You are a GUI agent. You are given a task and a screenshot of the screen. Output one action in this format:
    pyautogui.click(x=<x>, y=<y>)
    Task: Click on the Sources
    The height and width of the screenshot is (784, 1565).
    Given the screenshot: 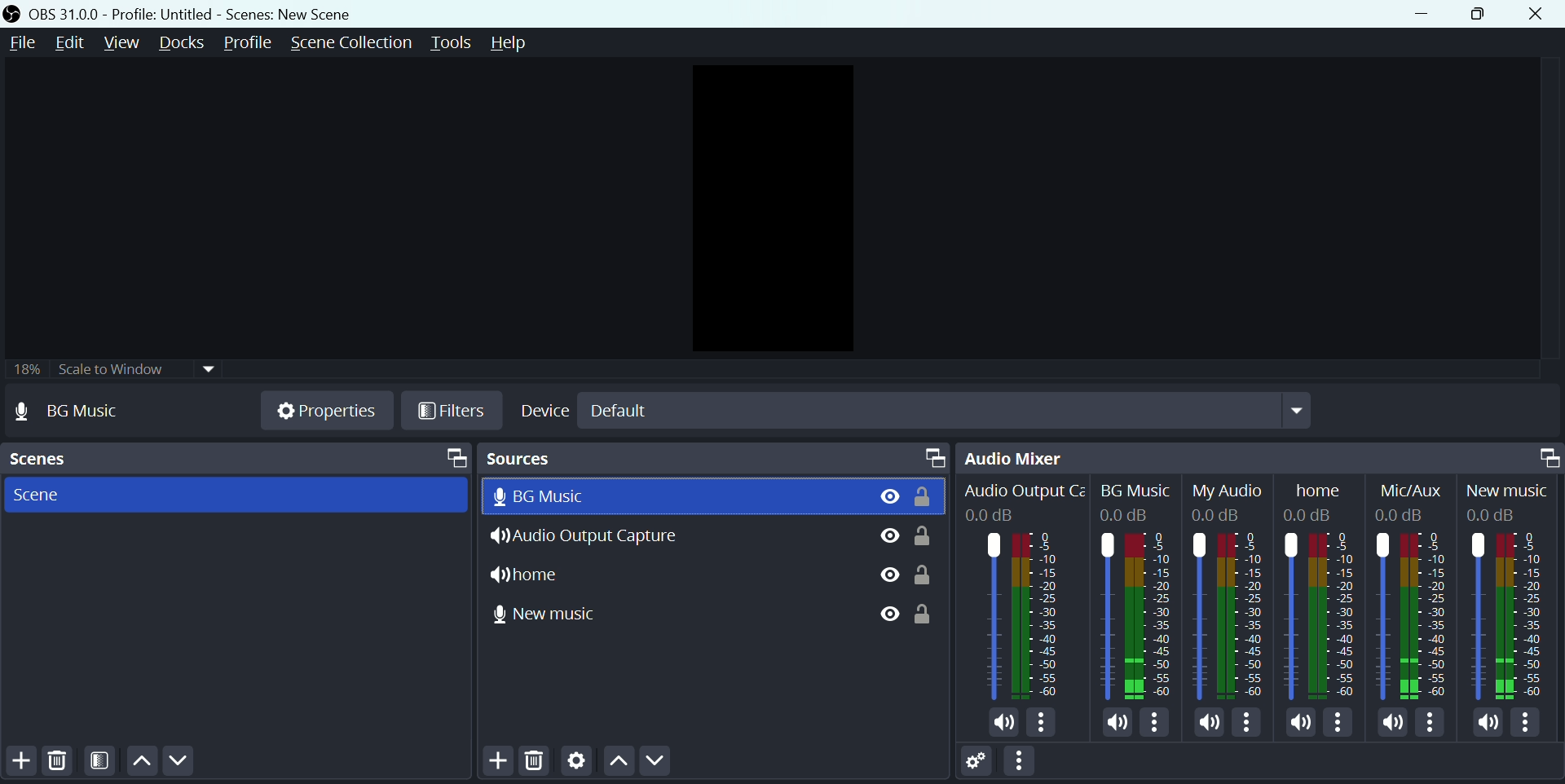 What is the action you would take?
    pyautogui.click(x=578, y=457)
    